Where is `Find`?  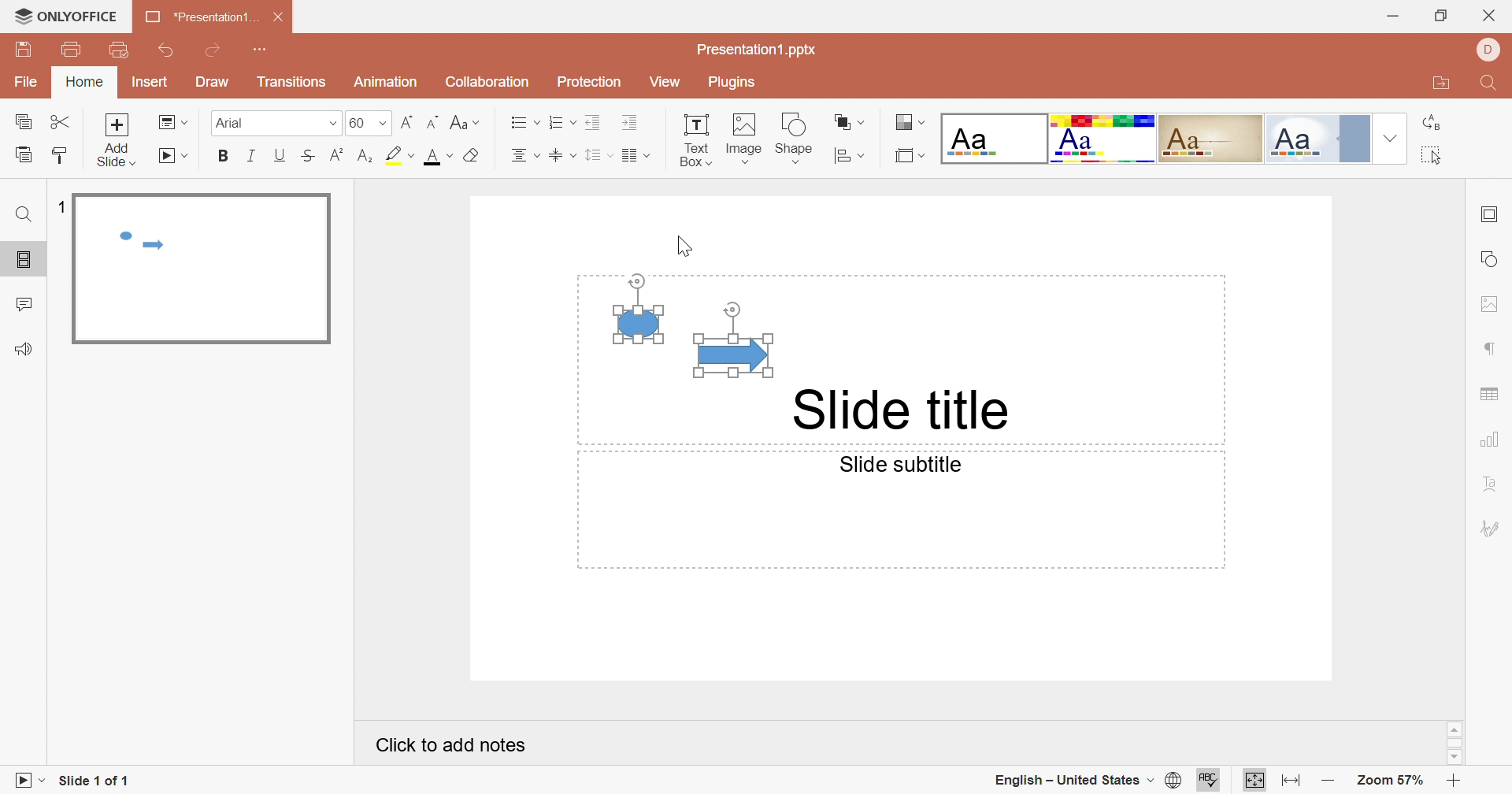
Find is located at coordinates (24, 216).